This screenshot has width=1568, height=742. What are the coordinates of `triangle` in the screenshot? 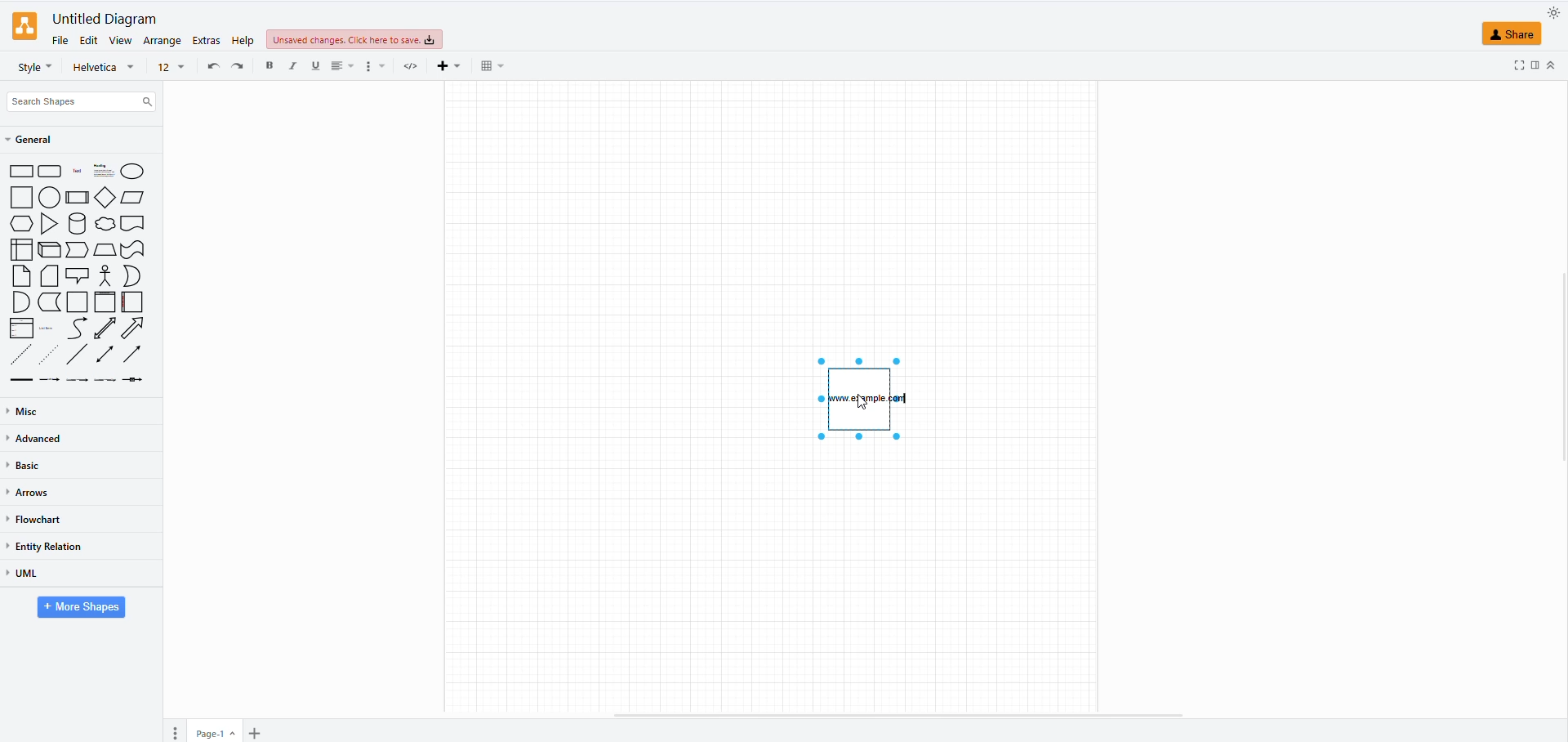 It's located at (51, 226).